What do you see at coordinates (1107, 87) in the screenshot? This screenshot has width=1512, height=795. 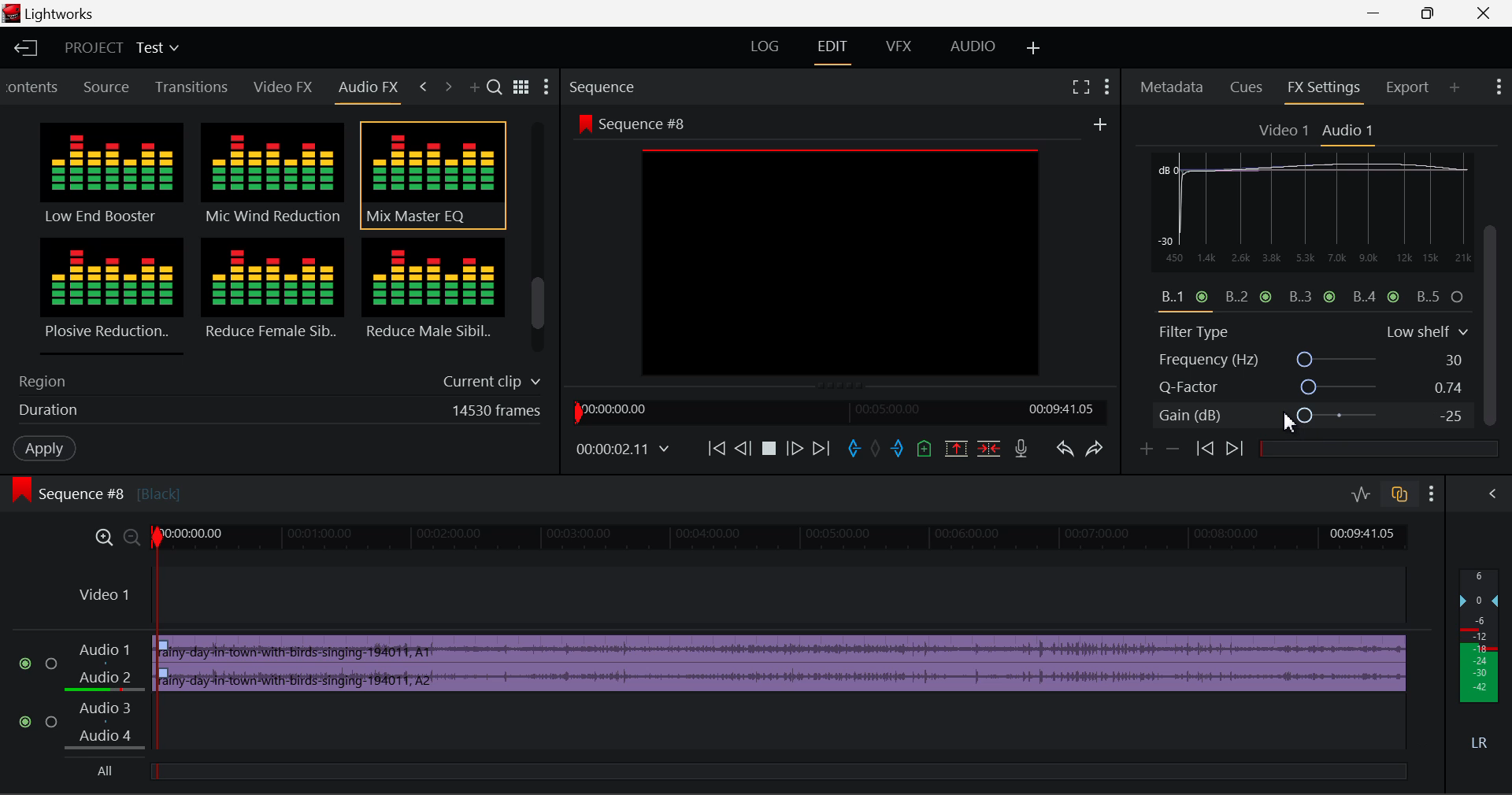 I see `Show Settings` at bounding box center [1107, 87].